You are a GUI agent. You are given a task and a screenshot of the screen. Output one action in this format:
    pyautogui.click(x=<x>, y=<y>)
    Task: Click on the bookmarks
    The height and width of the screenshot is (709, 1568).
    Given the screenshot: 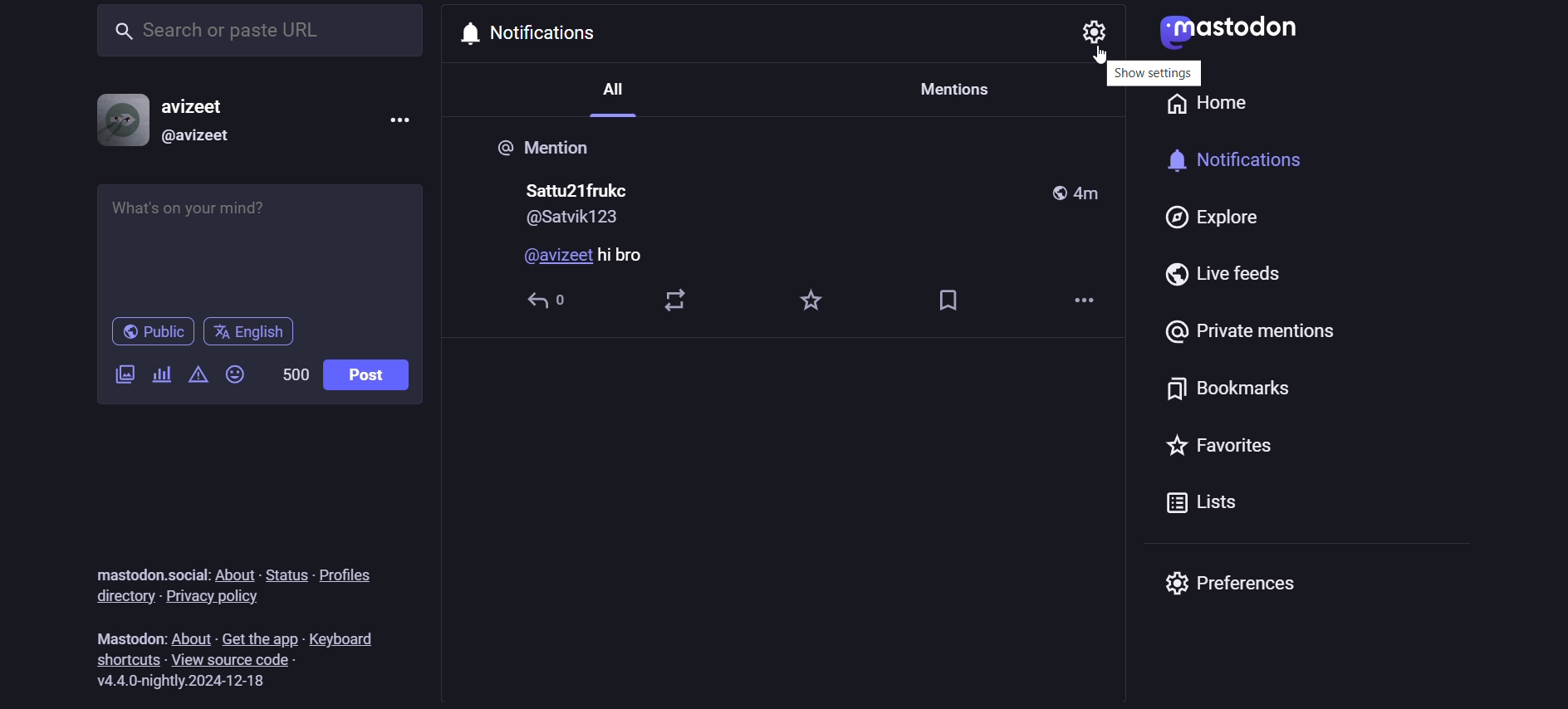 What is the action you would take?
    pyautogui.click(x=1232, y=388)
    